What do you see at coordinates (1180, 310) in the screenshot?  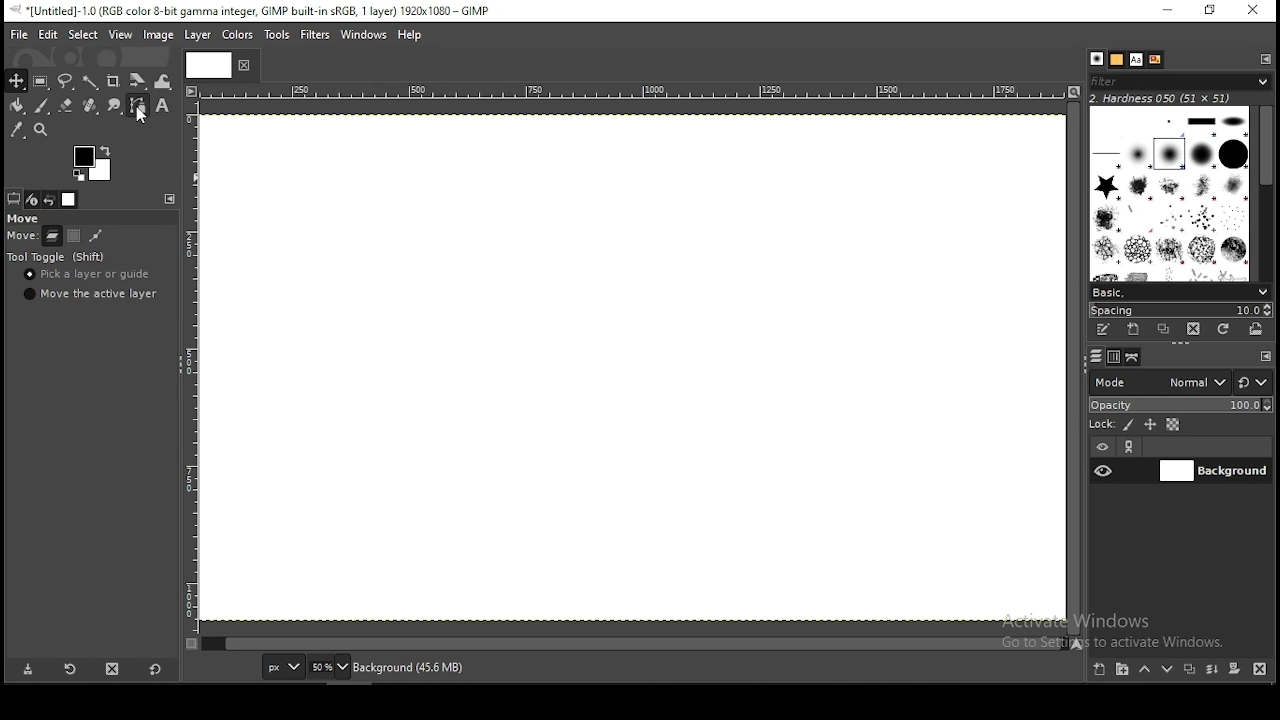 I see `spacing` at bounding box center [1180, 310].